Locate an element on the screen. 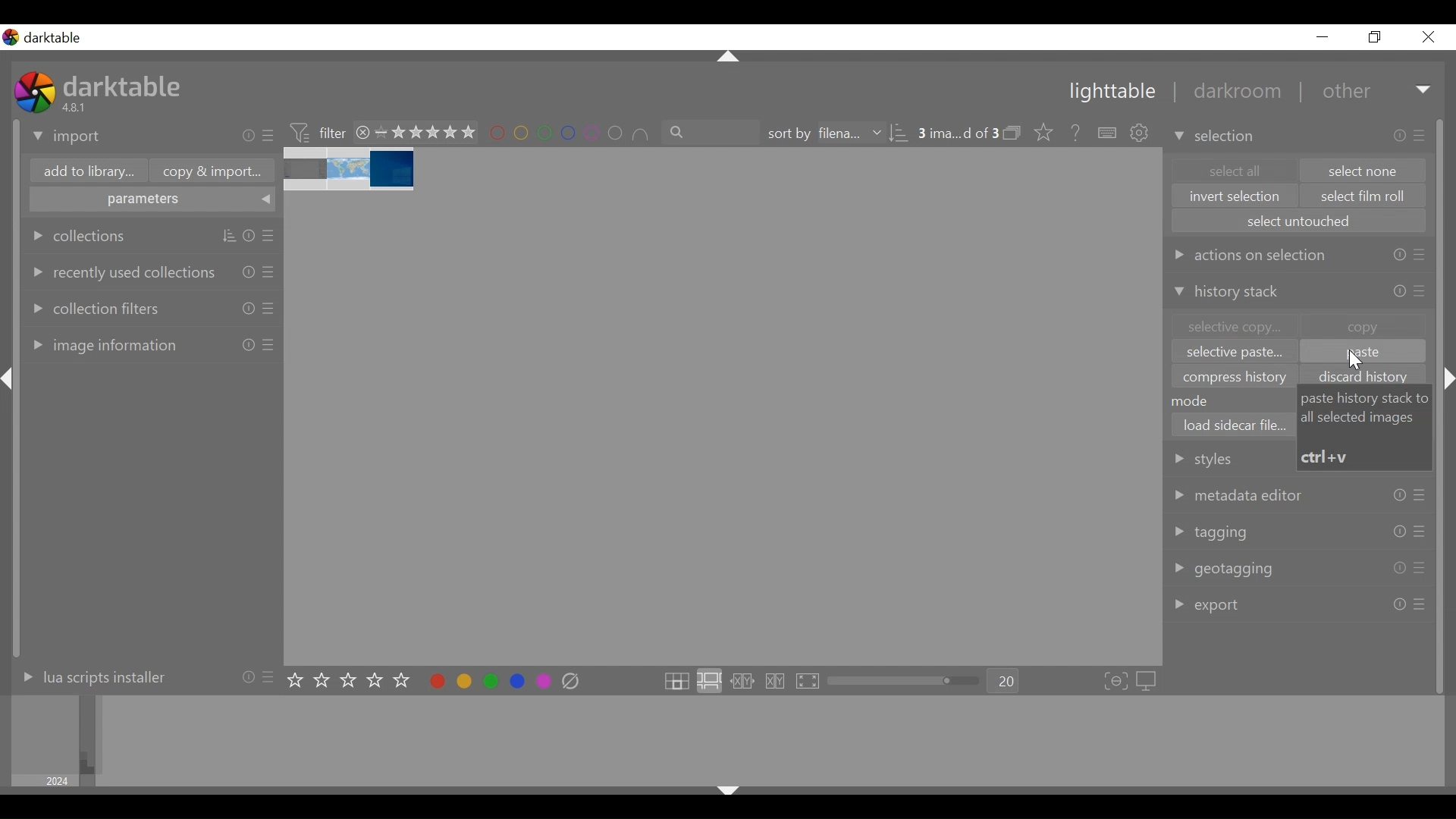 Image resolution: width=1456 pixels, height=819 pixels. presets is located at coordinates (1421, 291).